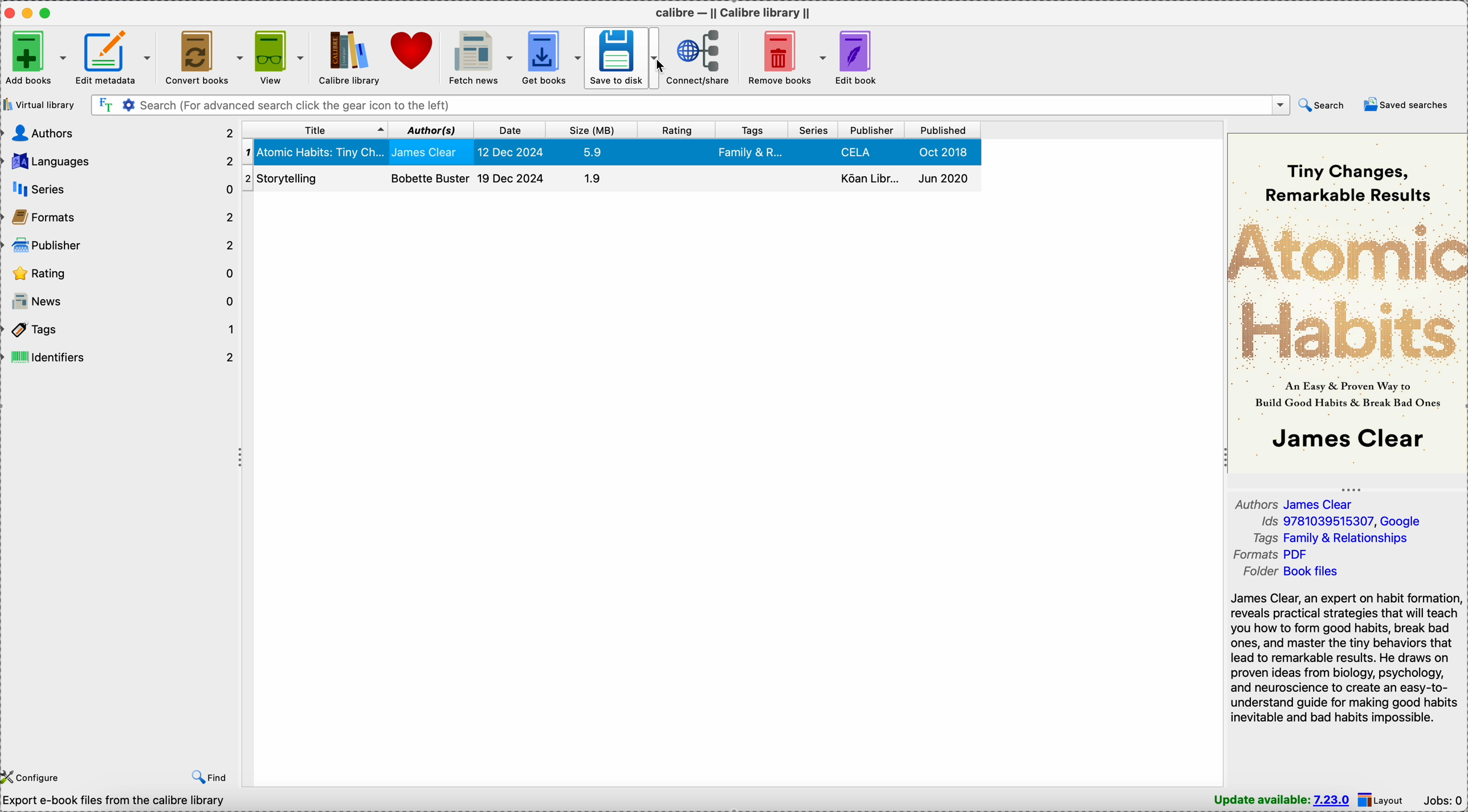  I want to click on save to disk, so click(622, 57).